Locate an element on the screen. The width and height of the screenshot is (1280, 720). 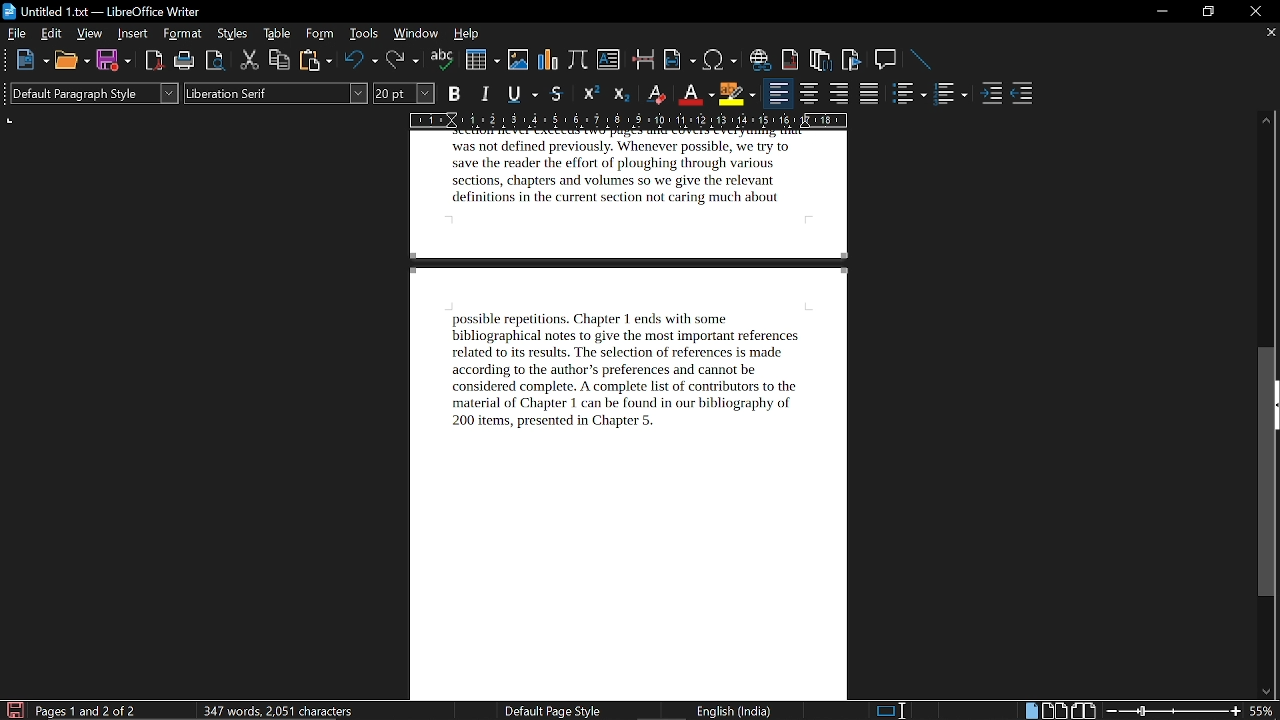
paste is located at coordinates (315, 61).